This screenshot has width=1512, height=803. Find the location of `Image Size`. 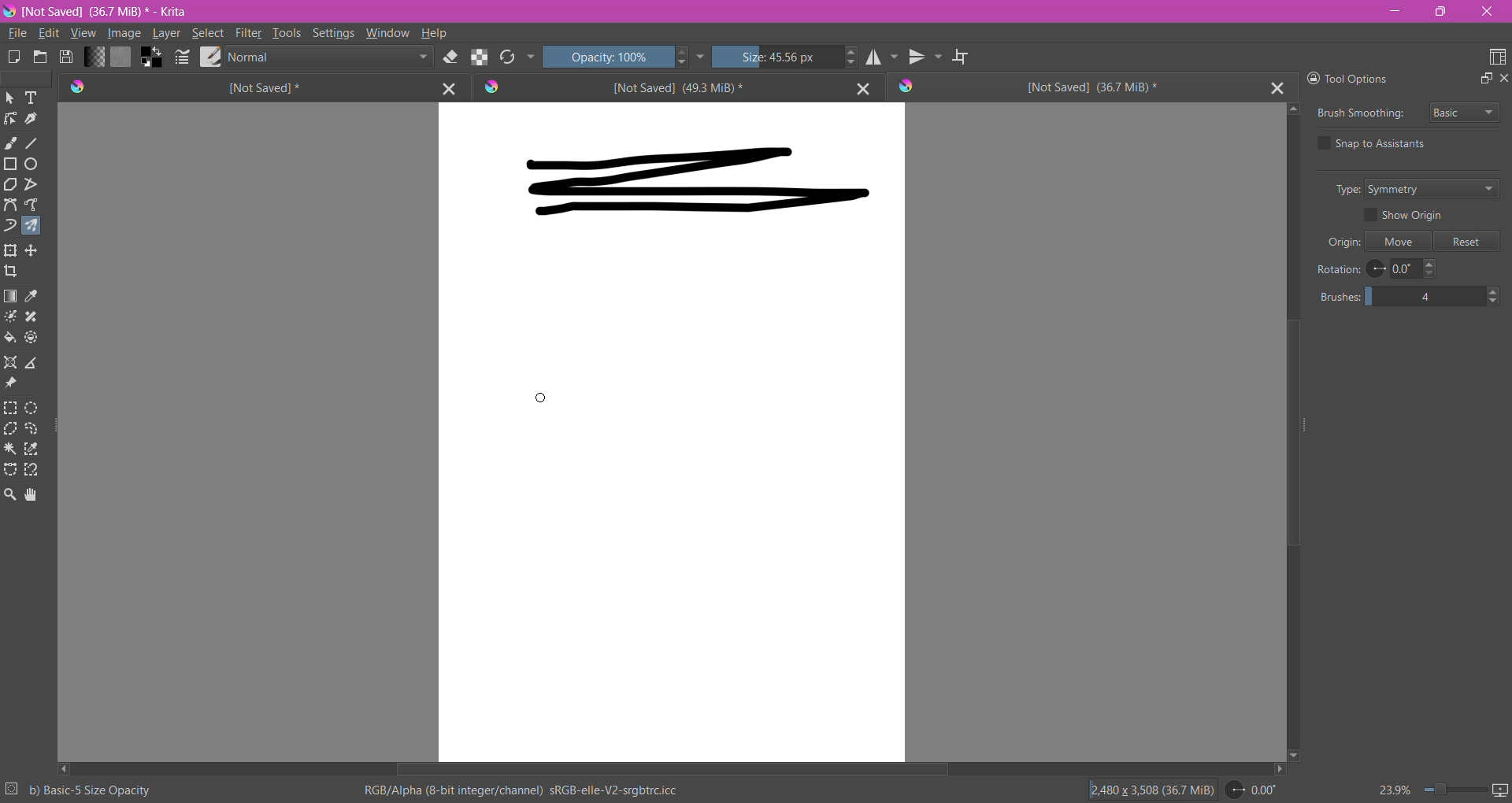

Image Size is located at coordinates (1147, 790).